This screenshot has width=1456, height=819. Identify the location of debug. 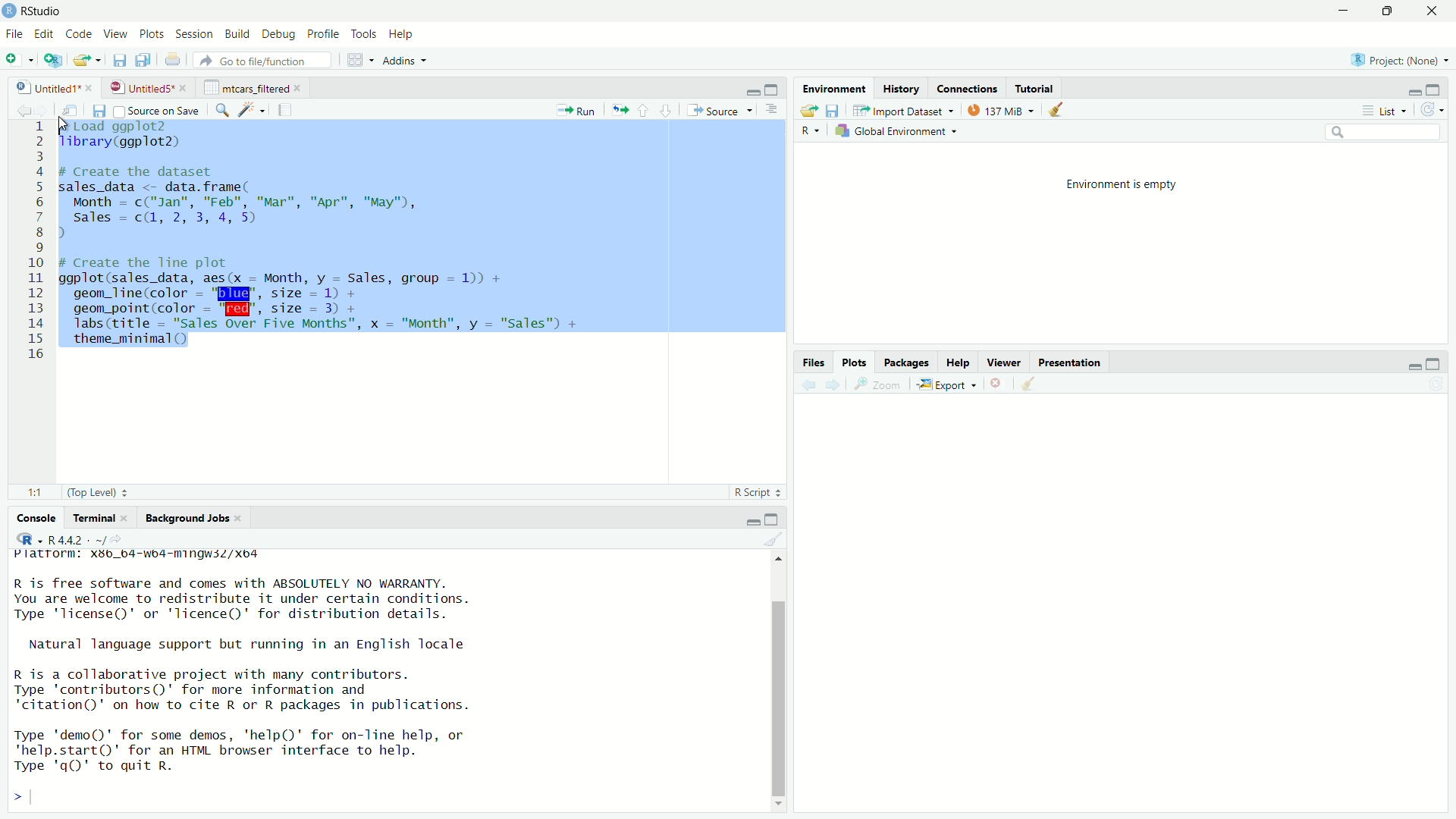
(279, 36).